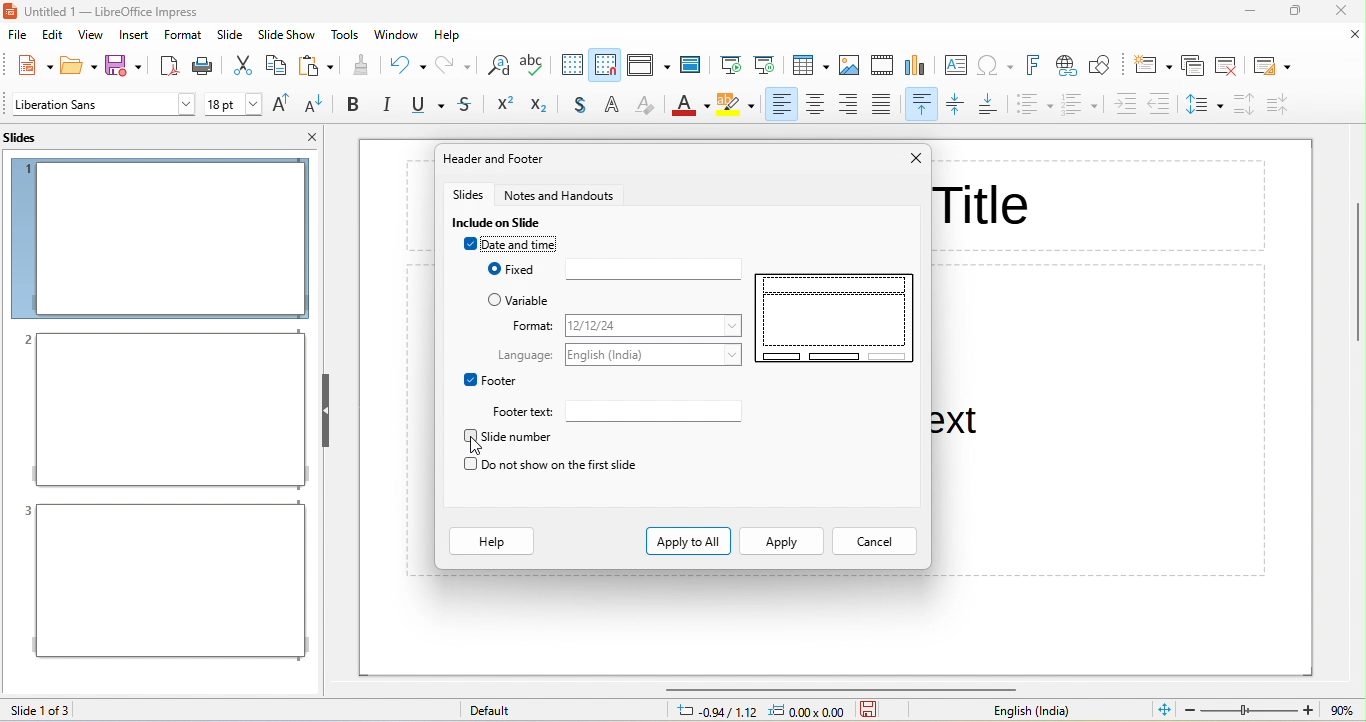 This screenshot has width=1366, height=722. I want to click on underline, so click(425, 106).